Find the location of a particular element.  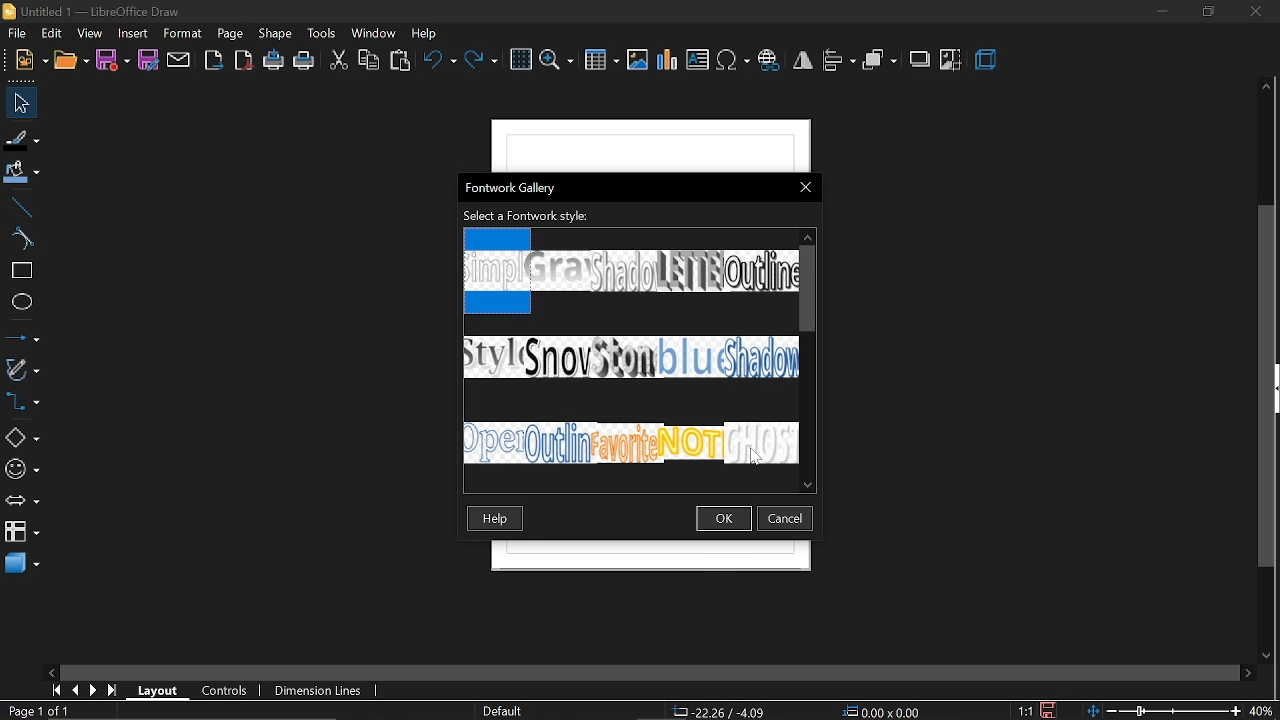

connector is located at coordinates (23, 402).